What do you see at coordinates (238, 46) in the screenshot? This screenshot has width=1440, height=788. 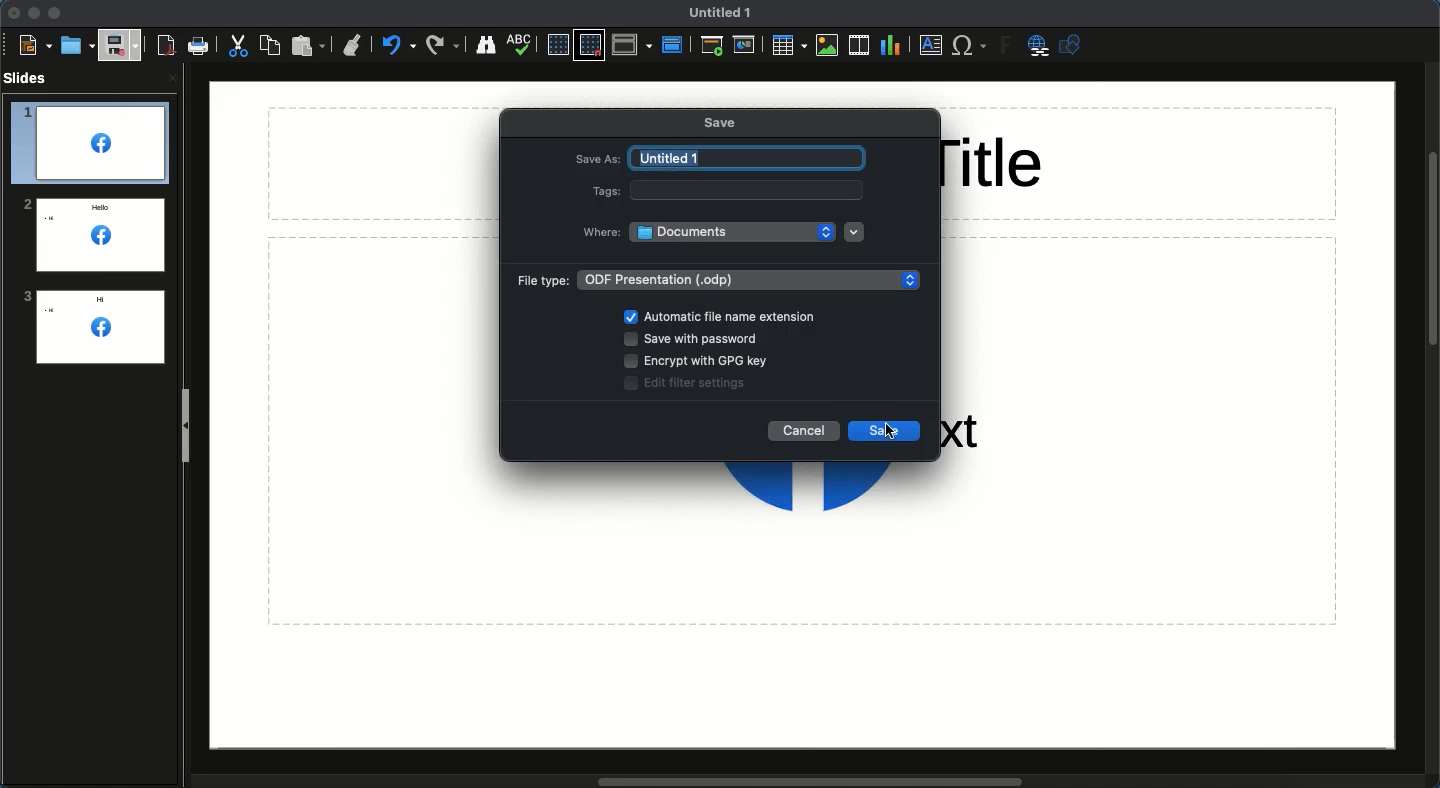 I see `Cut` at bounding box center [238, 46].